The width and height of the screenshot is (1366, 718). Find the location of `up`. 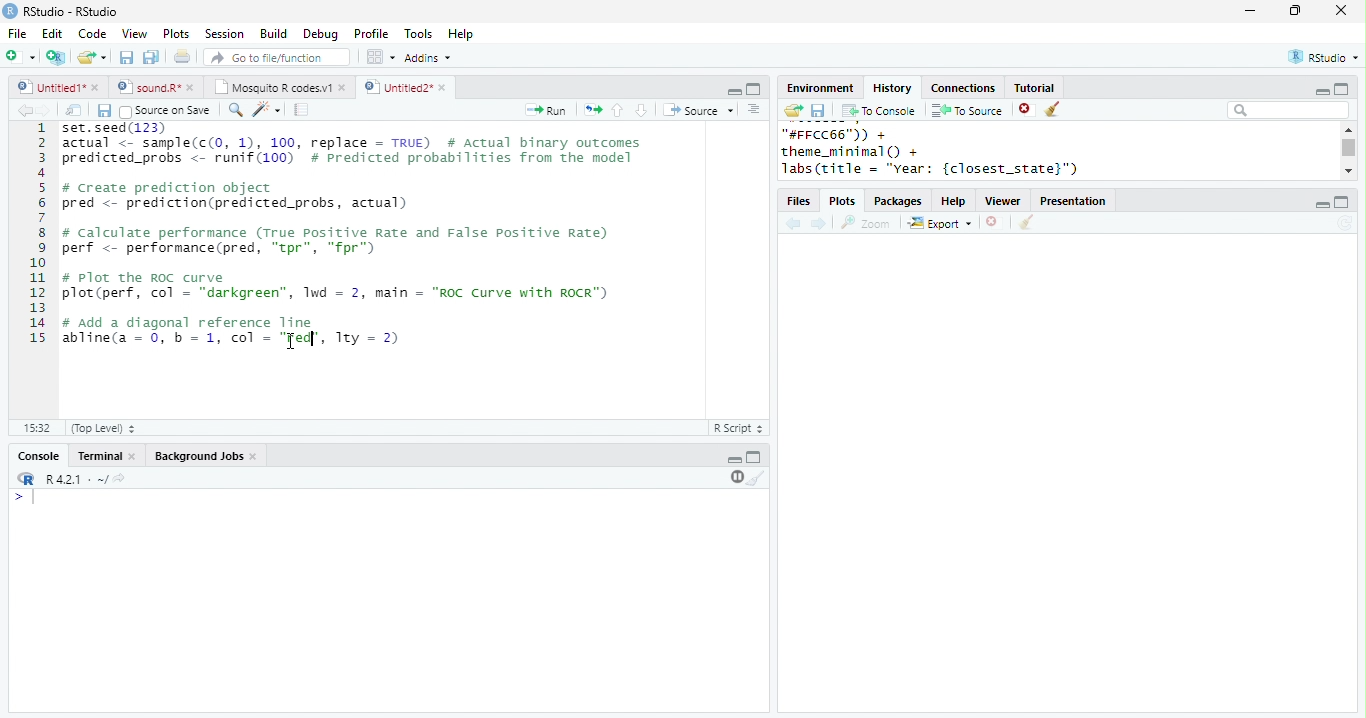

up is located at coordinates (616, 110).